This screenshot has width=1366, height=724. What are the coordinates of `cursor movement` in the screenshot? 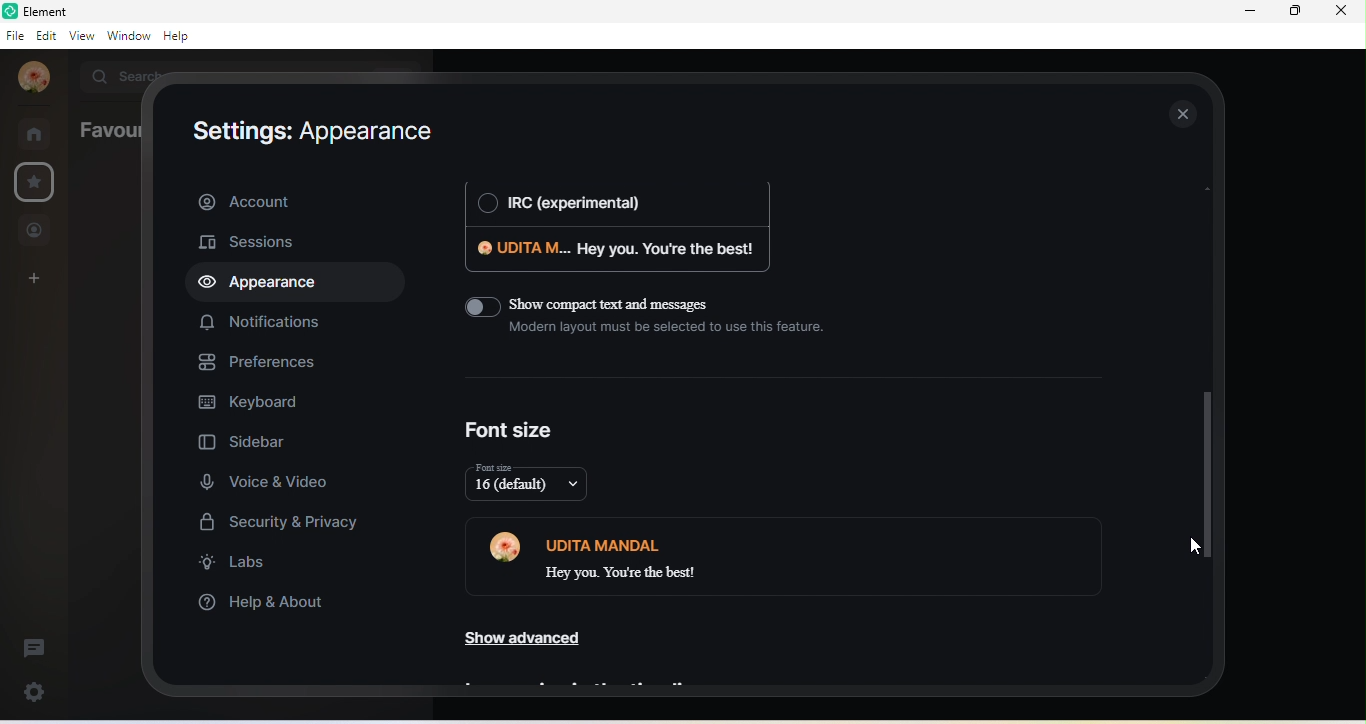 It's located at (1187, 549).